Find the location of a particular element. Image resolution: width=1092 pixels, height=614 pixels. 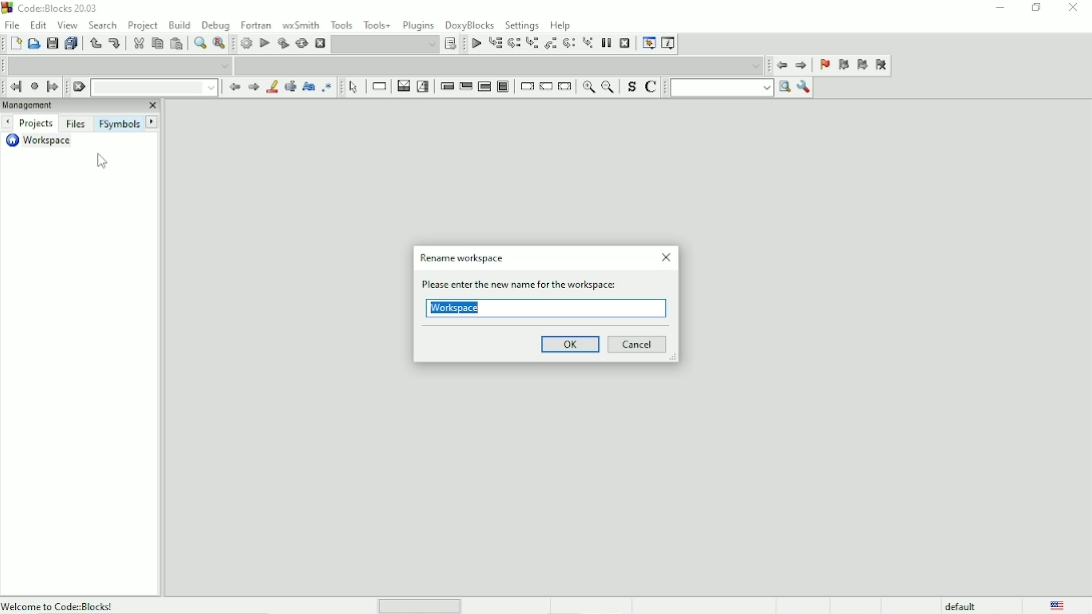

wxSmith is located at coordinates (302, 25).